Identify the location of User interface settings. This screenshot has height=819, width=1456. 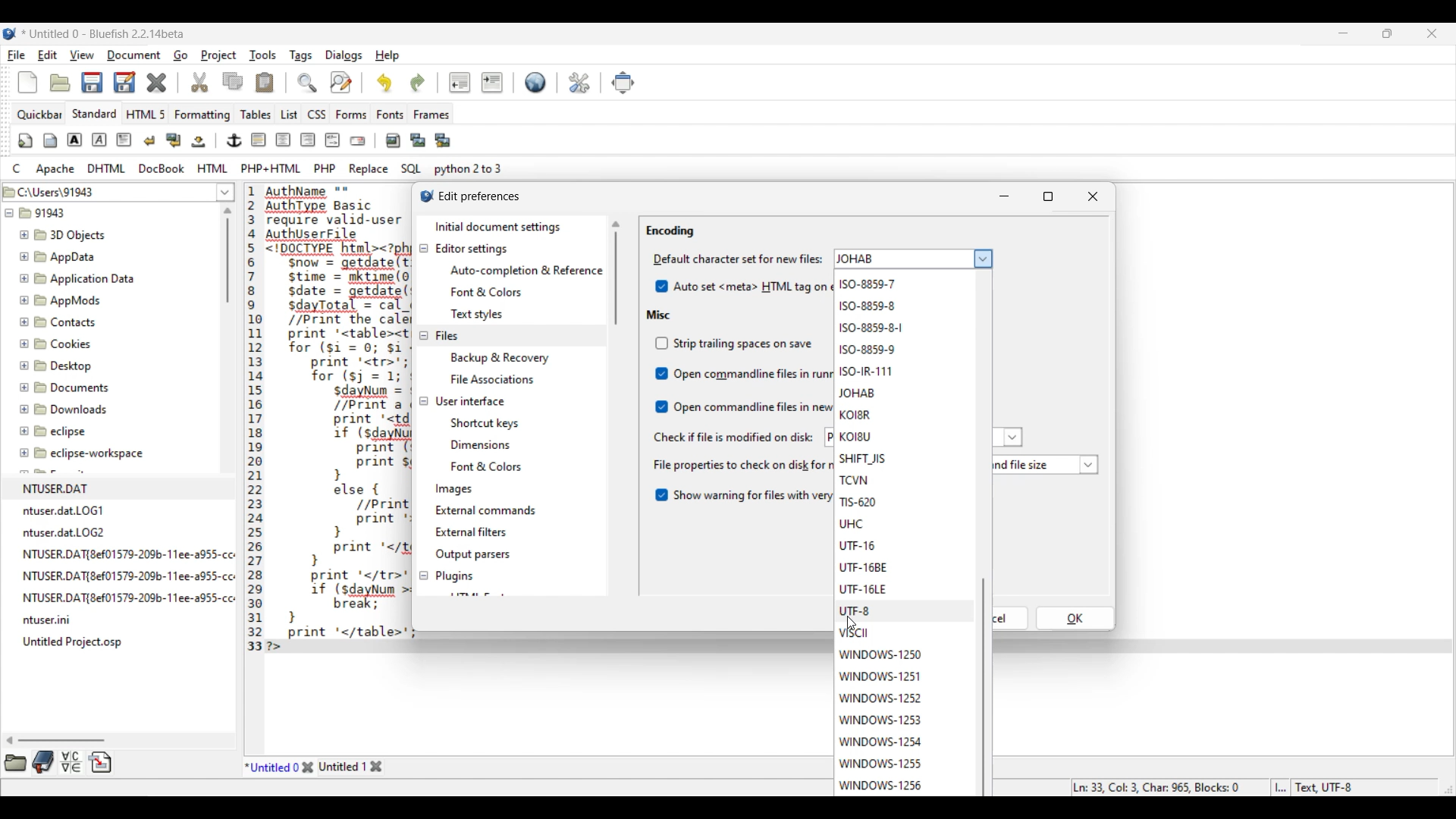
(470, 402).